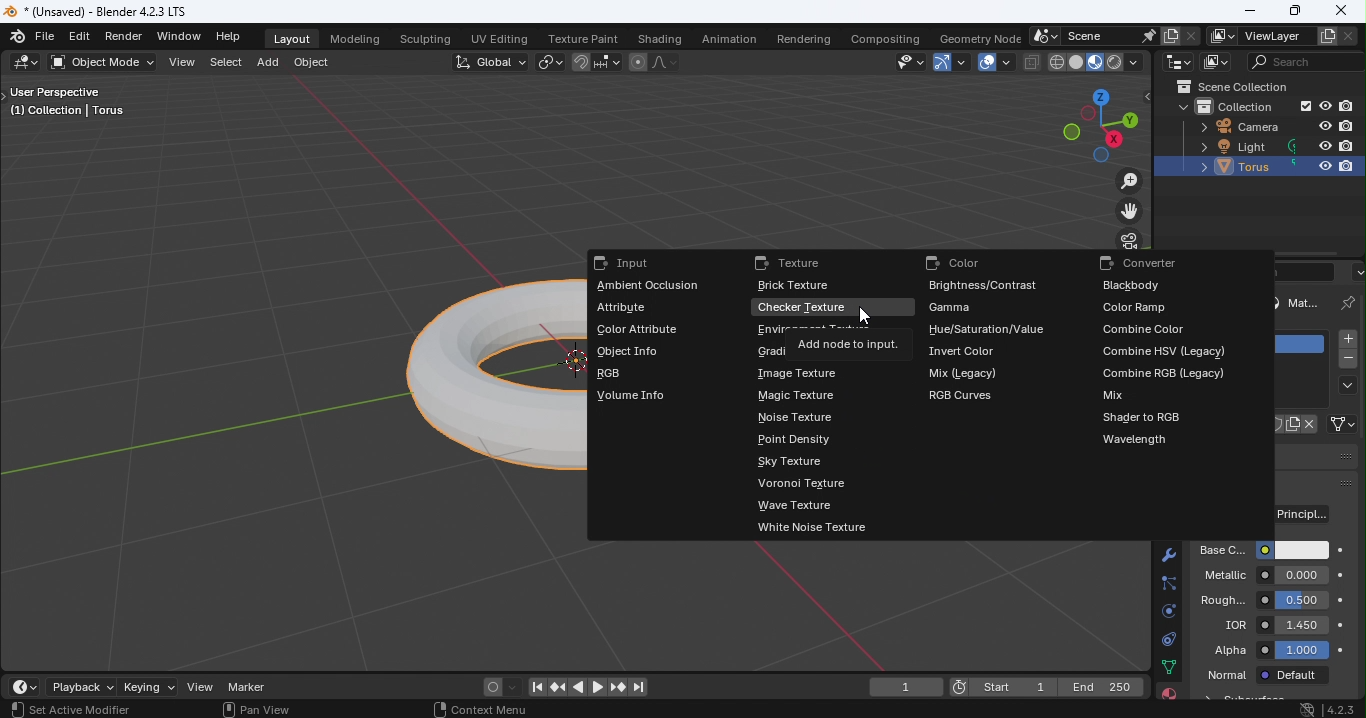 This screenshot has width=1366, height=718. What do you see at coordinates (233, 37) in the screenshot?
I see `Help` at bounding box center [233, 37].